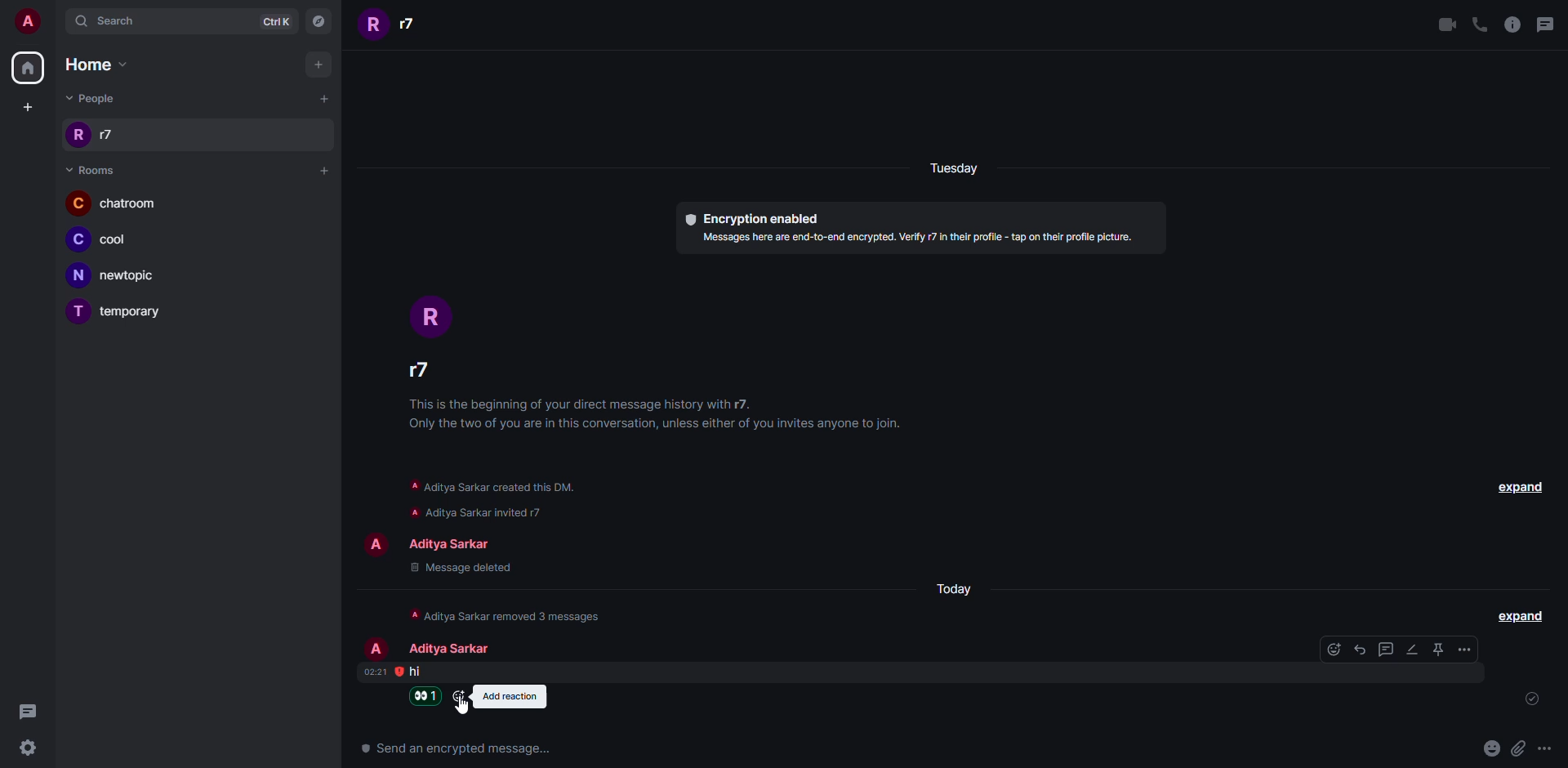  I want to click on home, so click(105, 66).